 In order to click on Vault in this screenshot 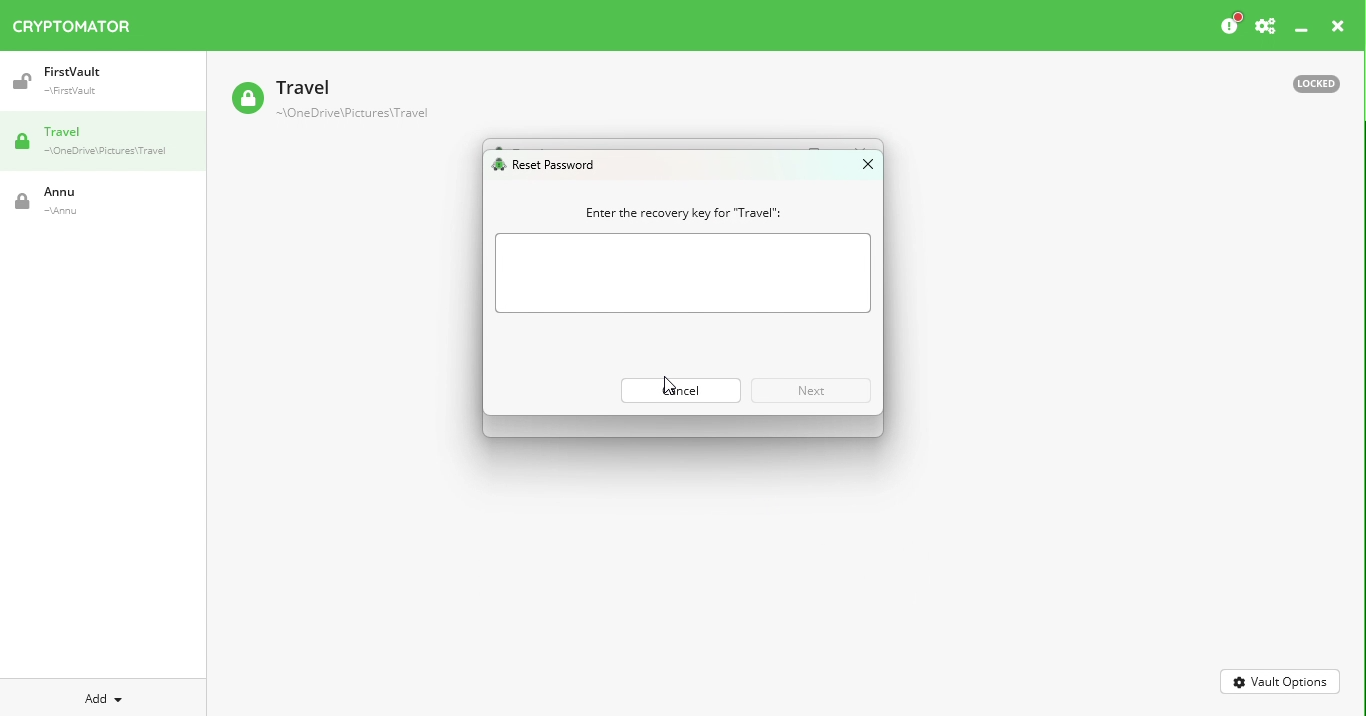, I will do `click(85, 201)`.